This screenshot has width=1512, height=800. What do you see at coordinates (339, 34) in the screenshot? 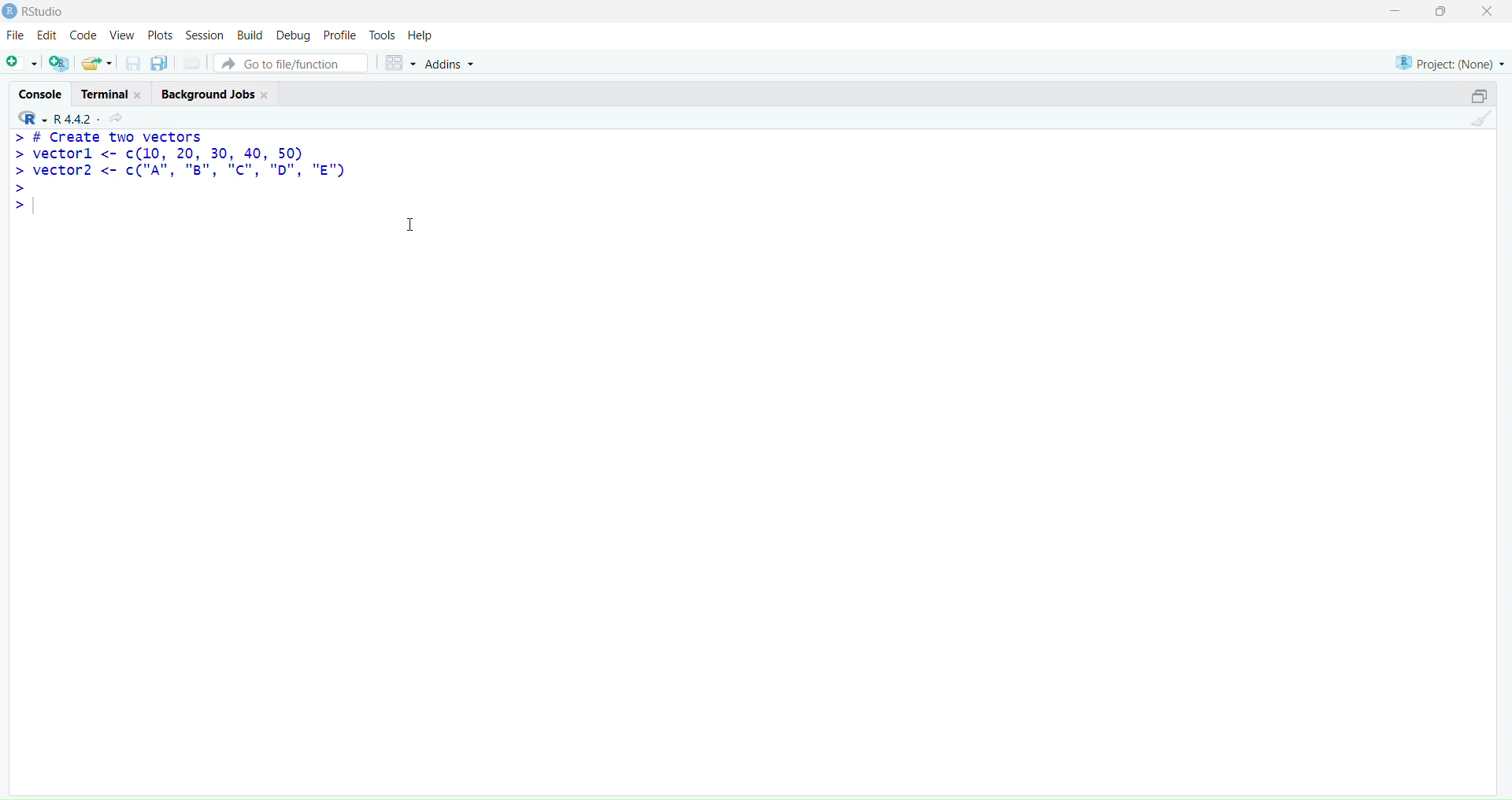
I see `Profile` at bounding box center [339, 34].